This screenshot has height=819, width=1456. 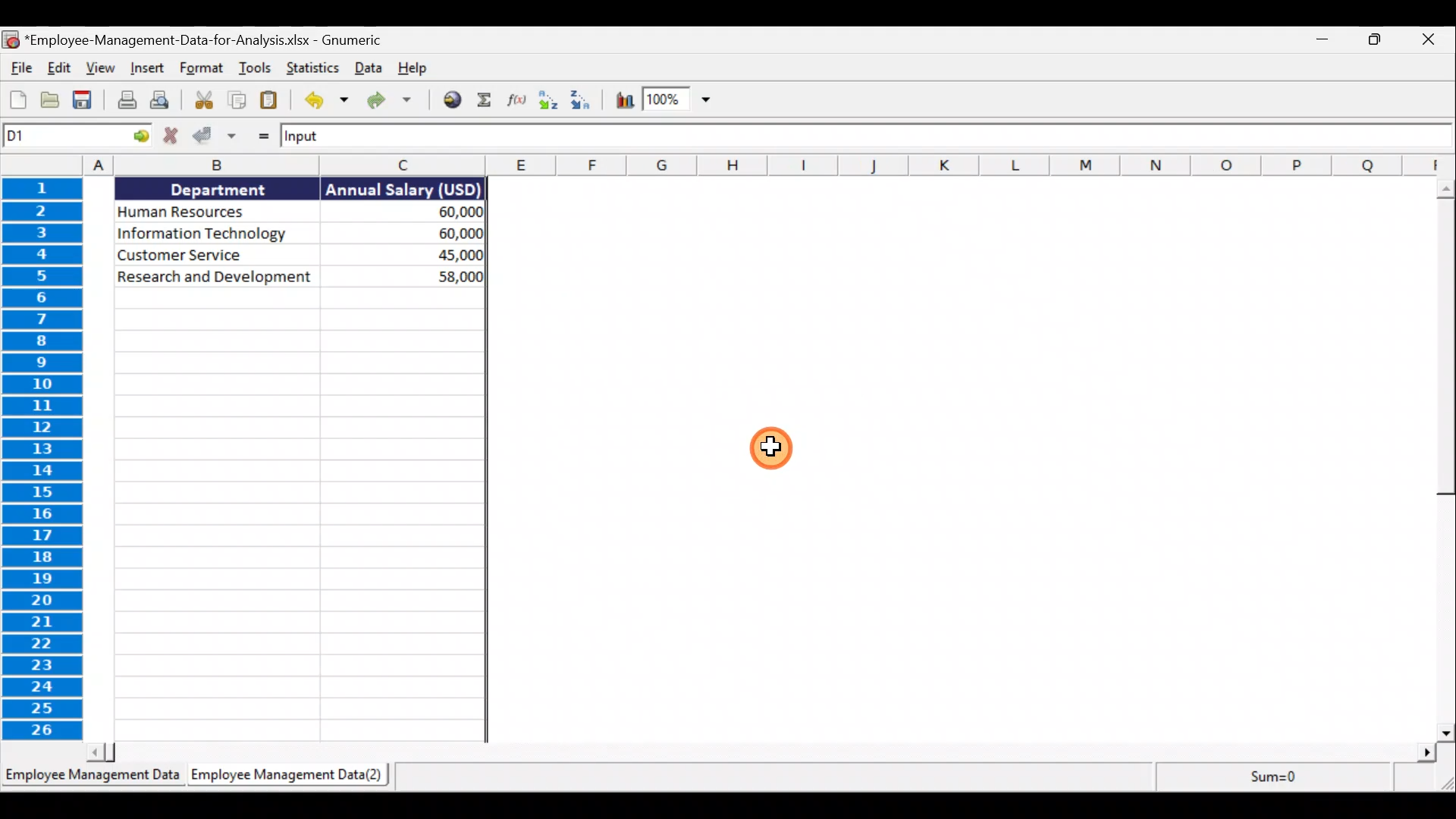 I want to click on Zoom, so click(x=677, y=99).